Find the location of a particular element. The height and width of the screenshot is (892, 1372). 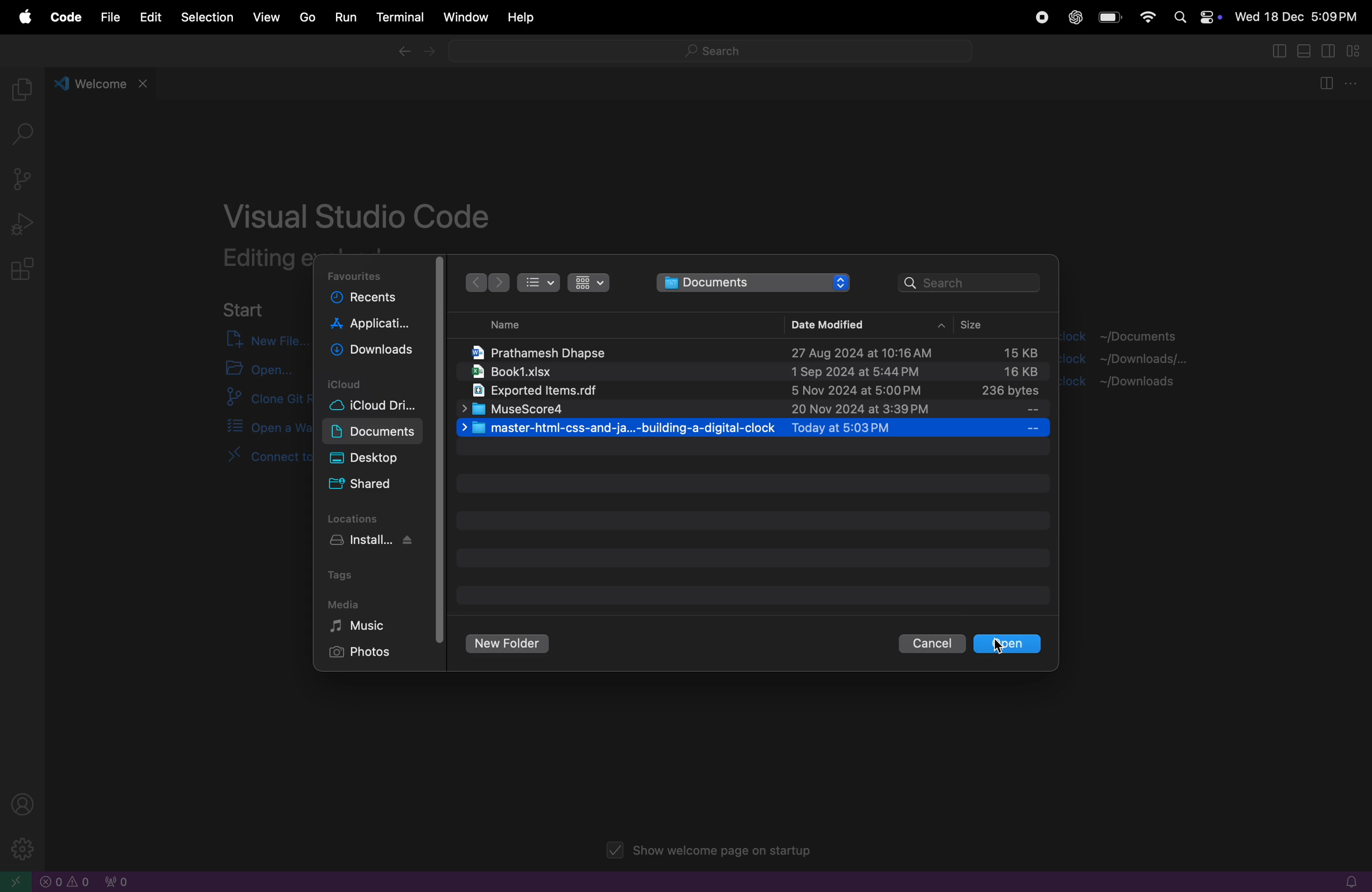

destsktop is located at coordinates (378, 458).